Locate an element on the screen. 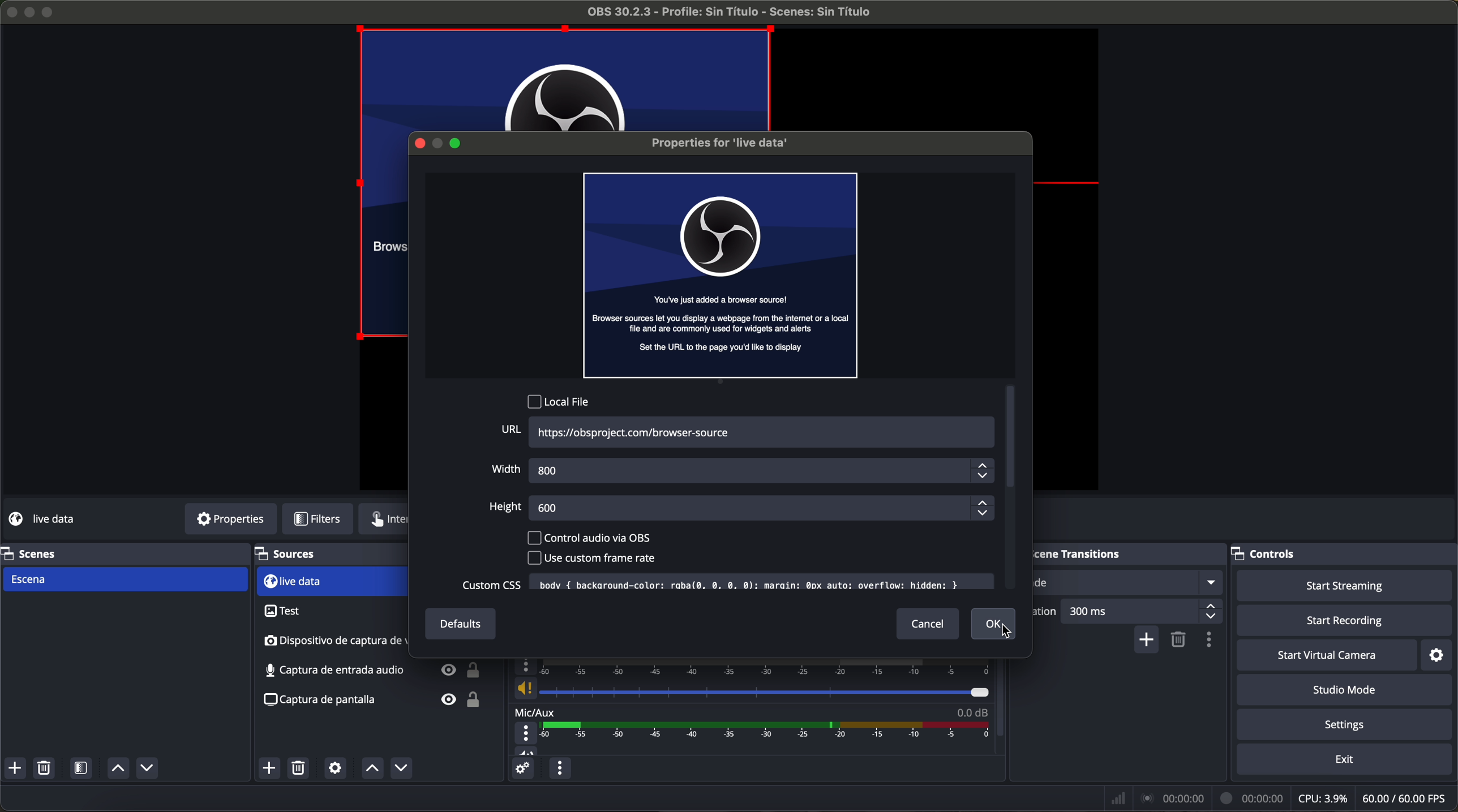  image preview is located at coordinates (722, 274).